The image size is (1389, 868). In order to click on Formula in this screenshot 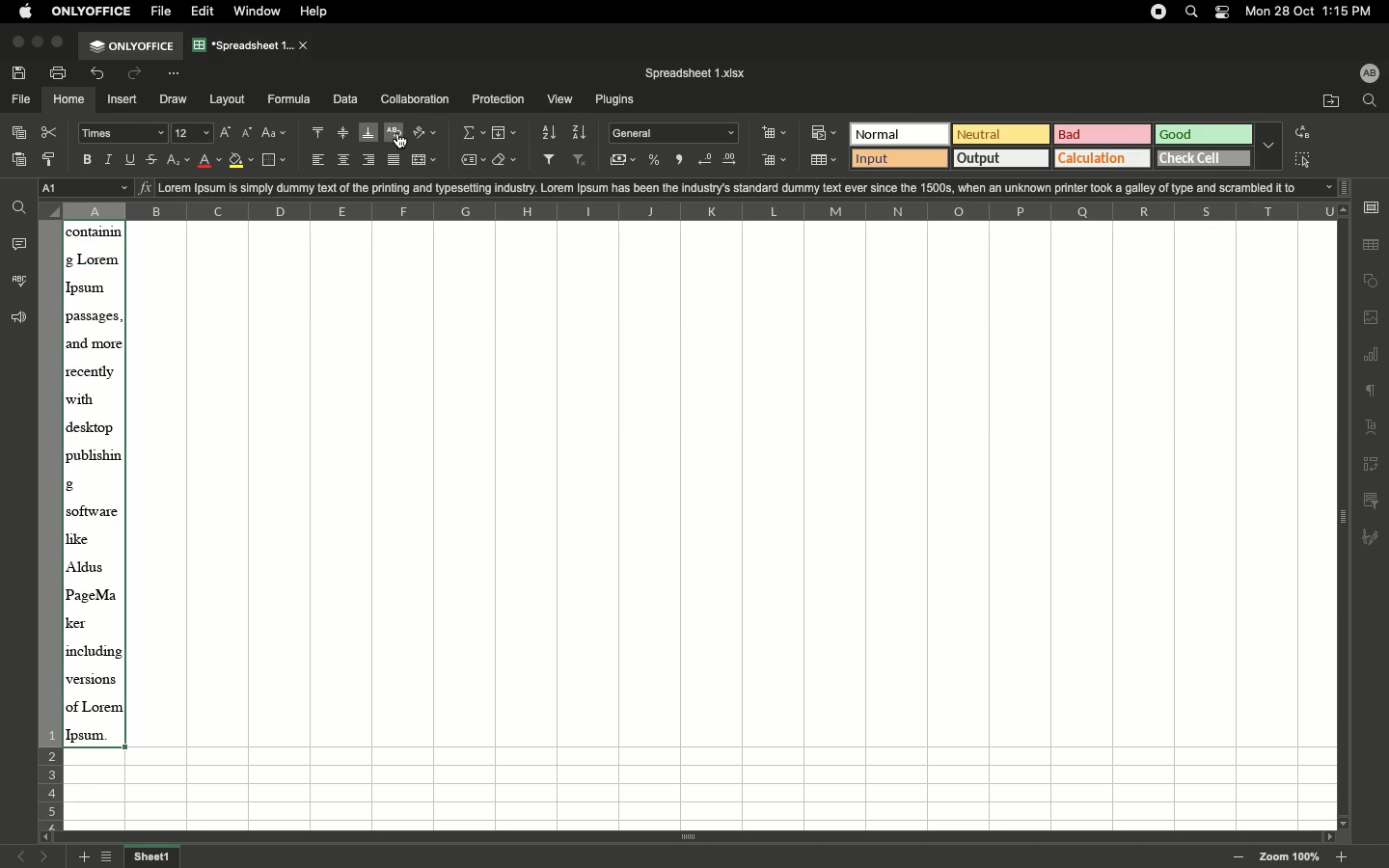, I will do `click(289, 100)`.